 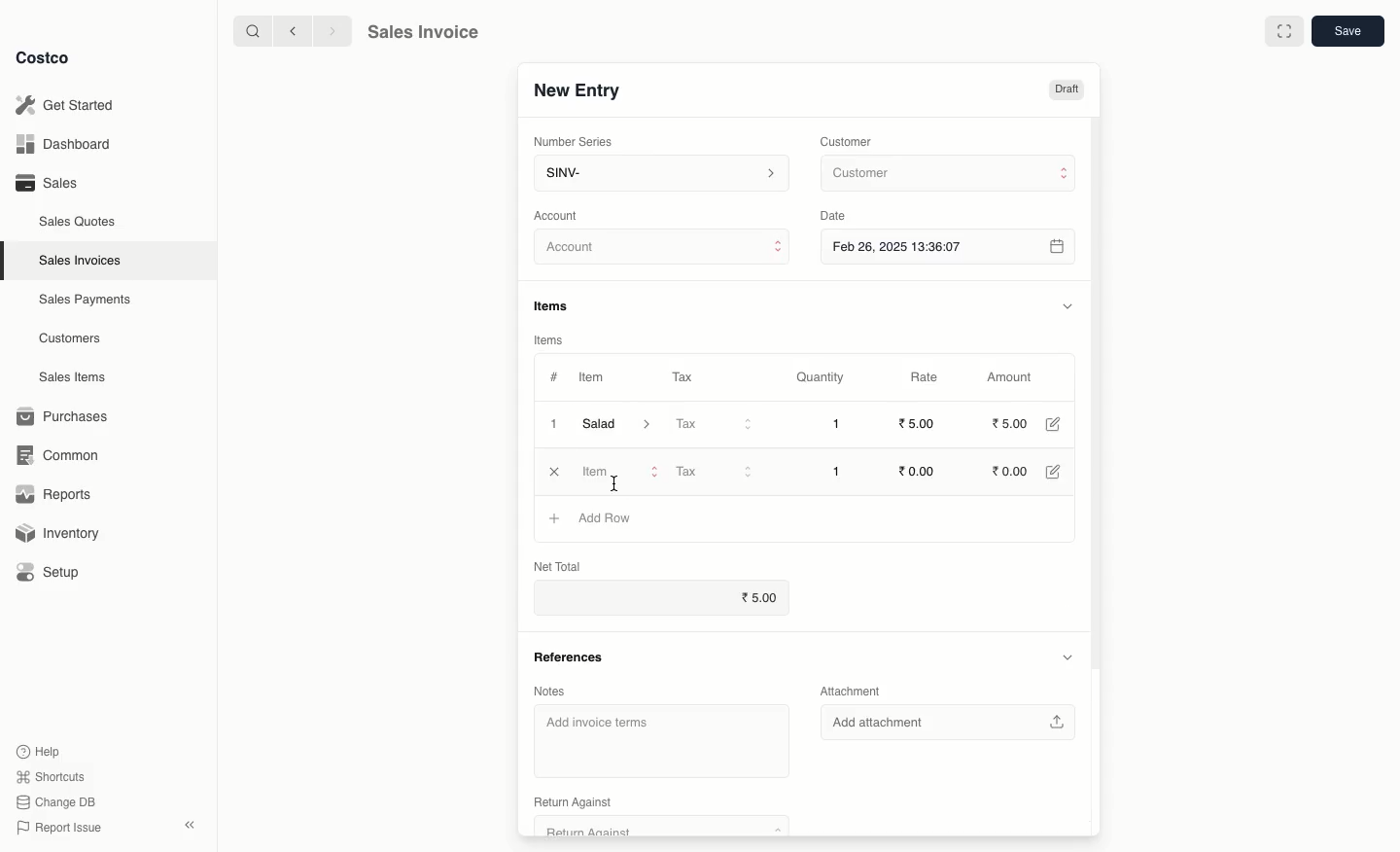 What do you see at coordinates (1350, 33) in the screenshot?
I see `Save` at bounding box center [1350, 33].